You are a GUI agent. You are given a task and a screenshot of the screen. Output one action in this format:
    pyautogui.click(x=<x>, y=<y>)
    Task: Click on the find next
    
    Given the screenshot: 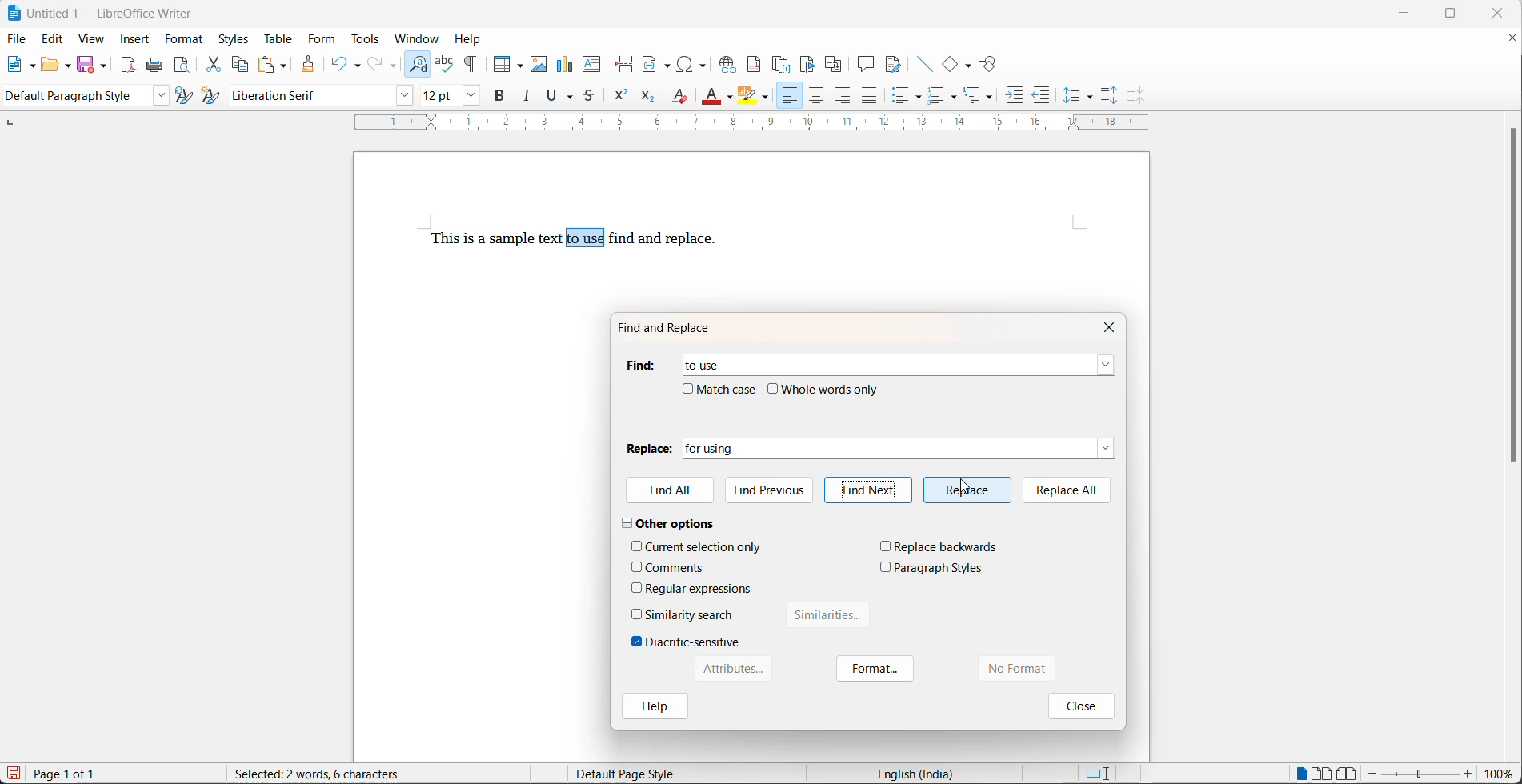 What is the action you would take?
    pyautogui.click(x=867, y=490)
    